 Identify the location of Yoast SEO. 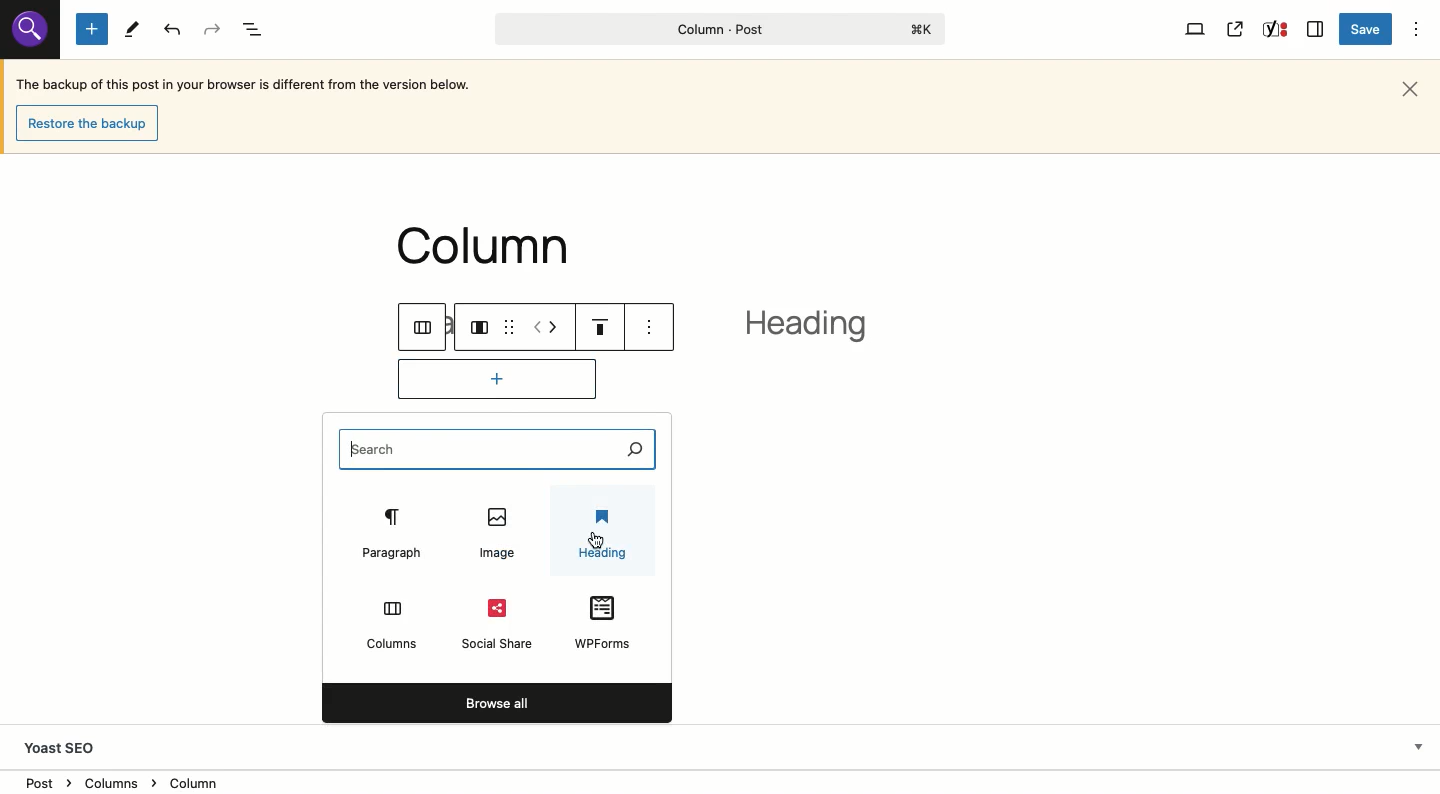
(68, 748).